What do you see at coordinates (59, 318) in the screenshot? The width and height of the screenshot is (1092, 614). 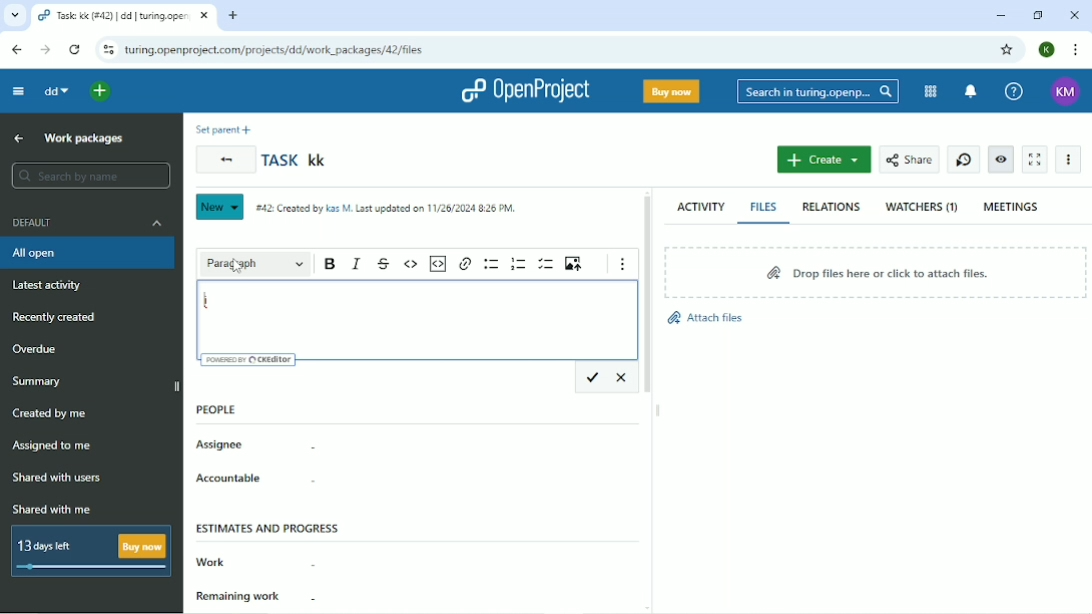 I see `Recently created` at bounding box center [59, 318].